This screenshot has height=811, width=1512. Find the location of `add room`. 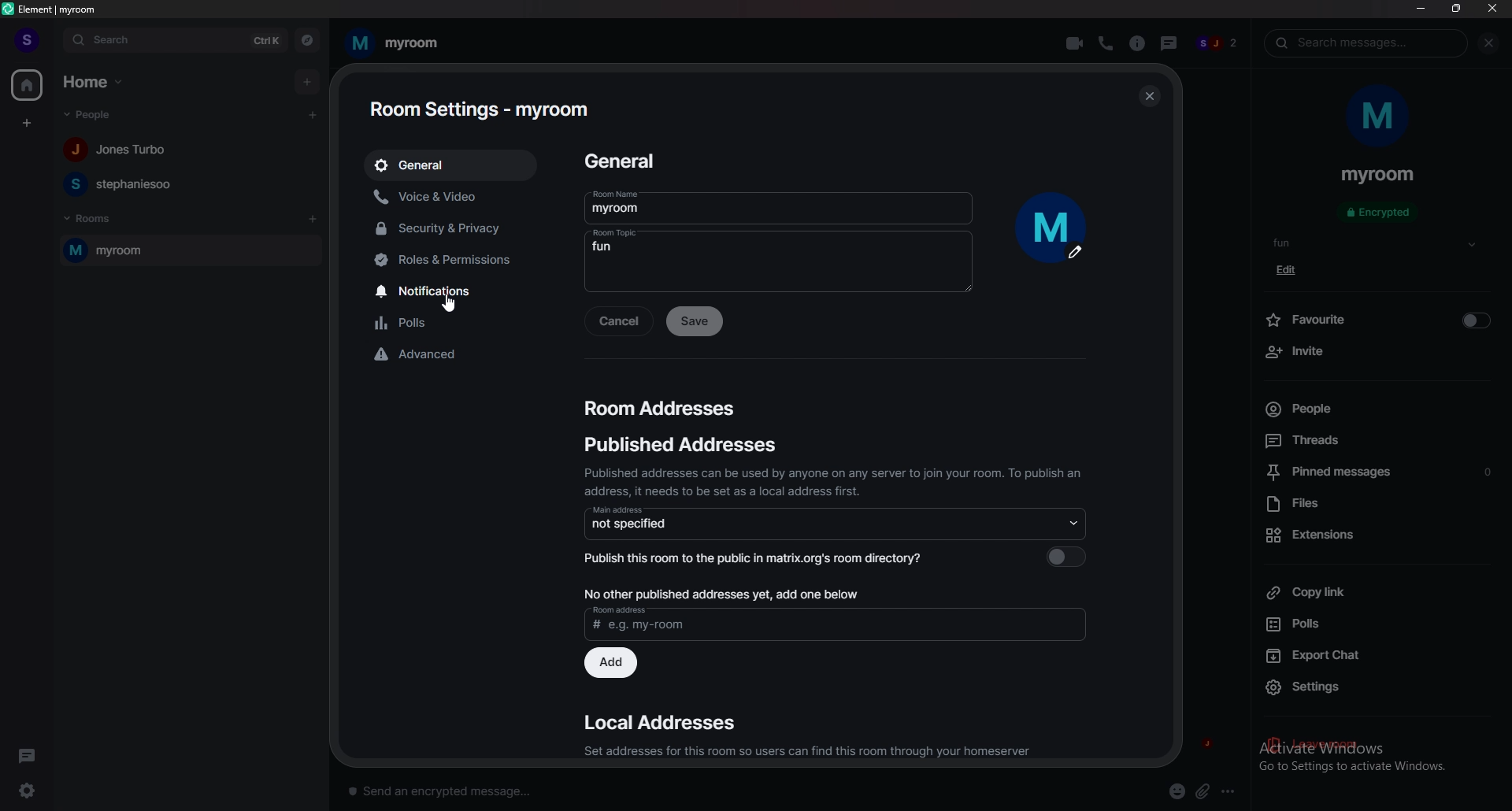

add room is located at coordinates (313, 219).